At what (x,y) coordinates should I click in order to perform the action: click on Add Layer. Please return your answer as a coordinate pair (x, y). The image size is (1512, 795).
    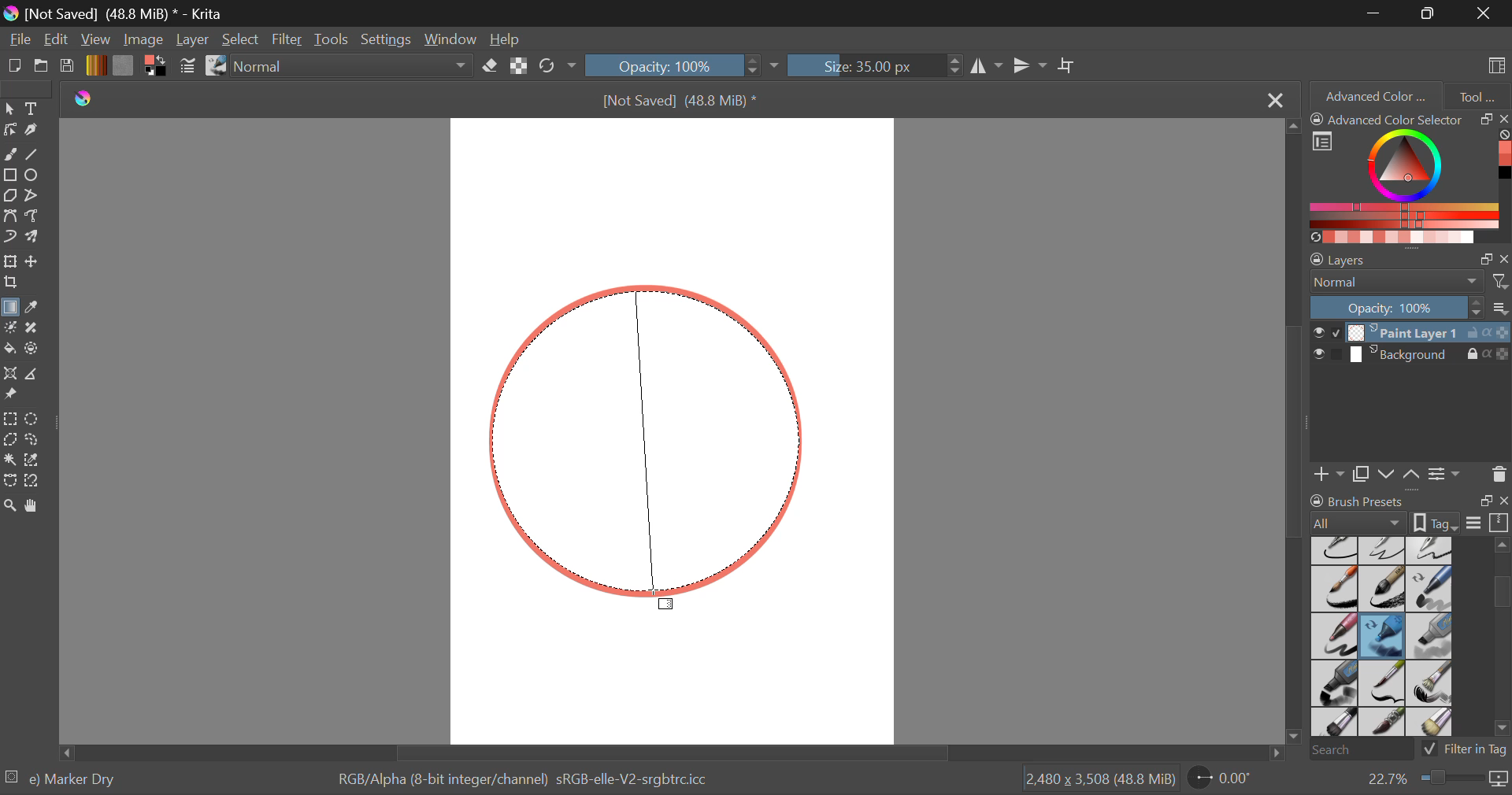
    Looking at the image, I should click on (1329, 472).